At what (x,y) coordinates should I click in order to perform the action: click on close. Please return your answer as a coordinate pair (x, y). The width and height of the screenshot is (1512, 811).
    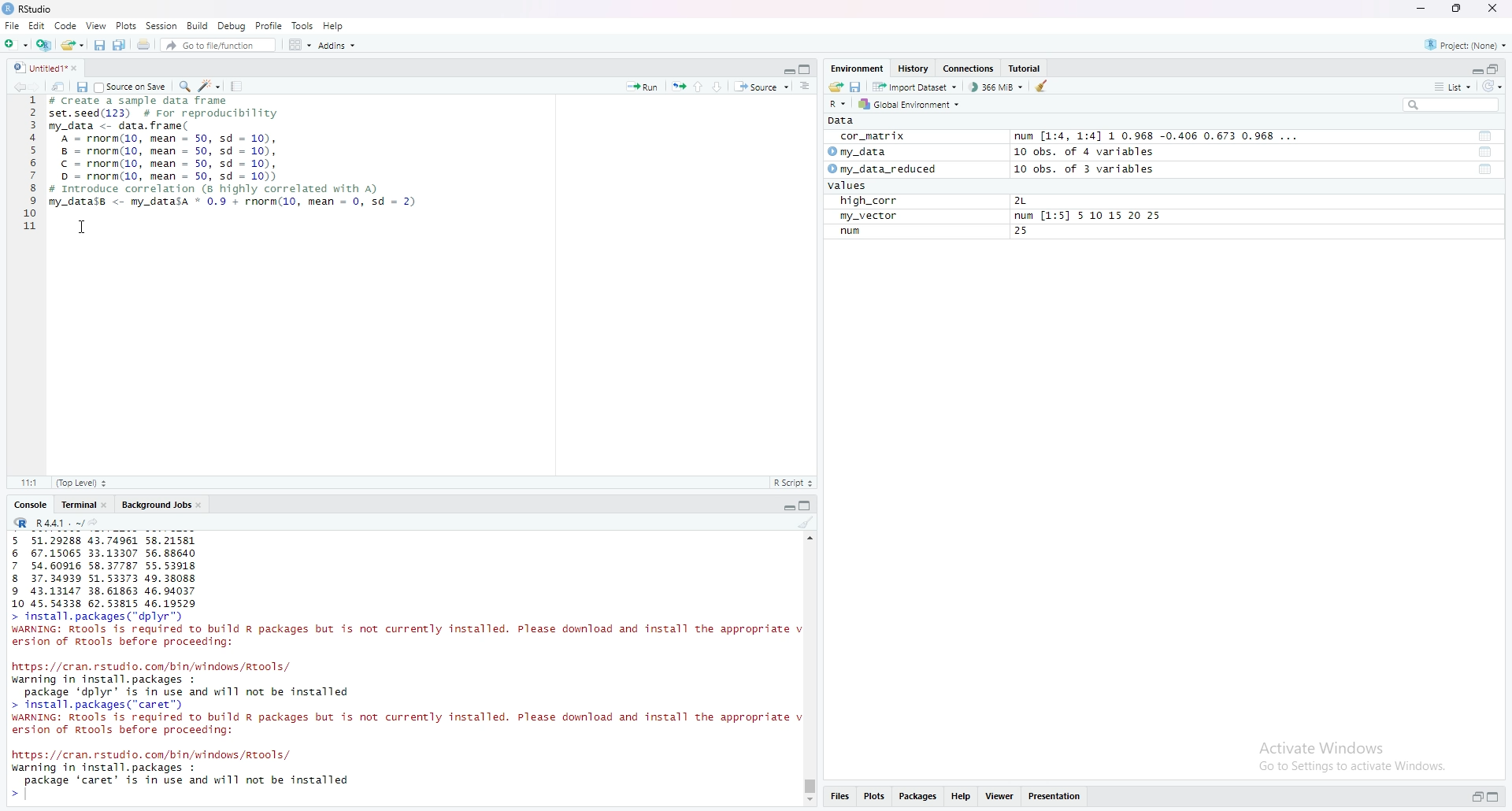
    Looking at the image, I should click on (76, 69).